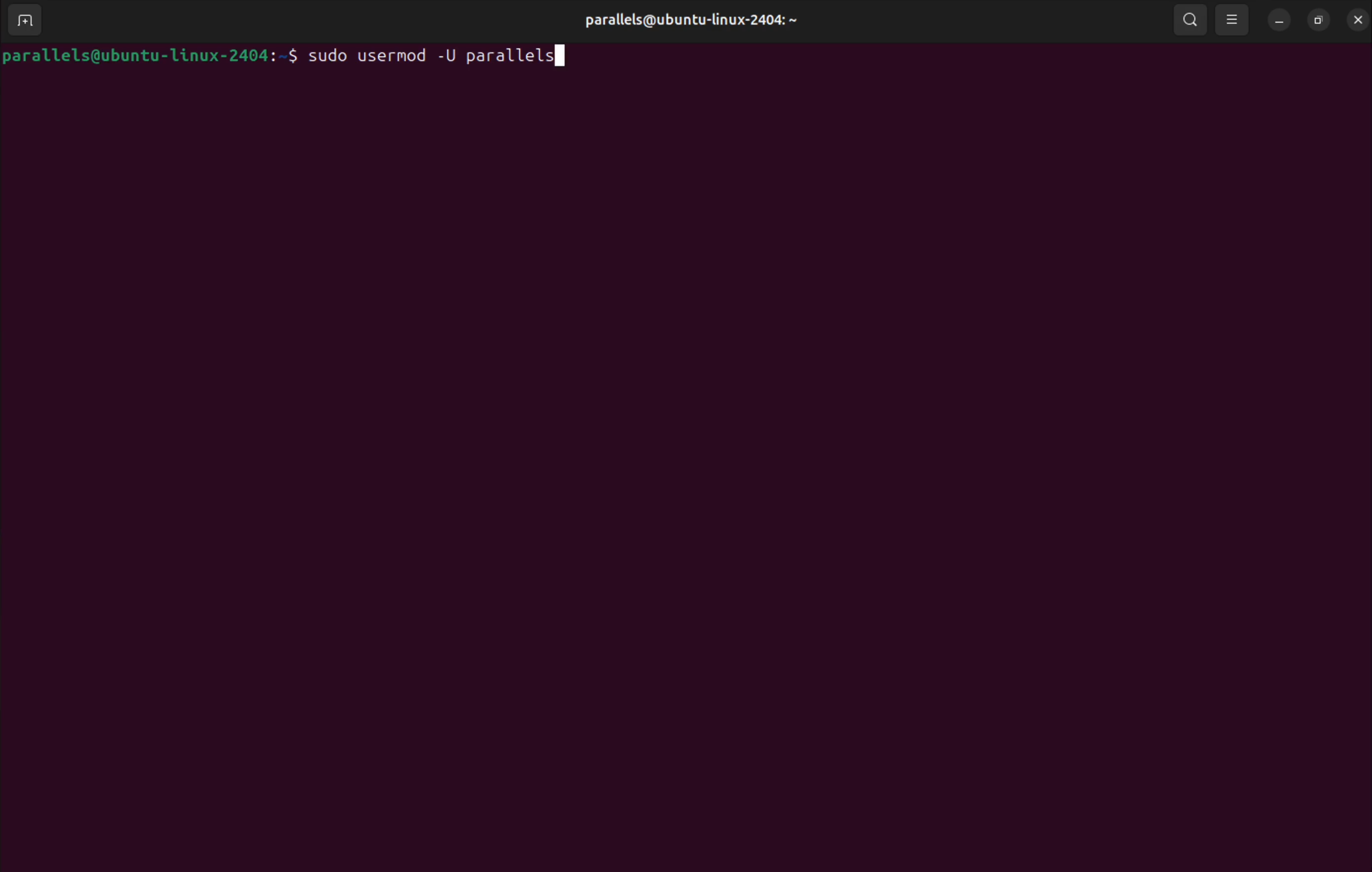 The image size is (1372, 872). What do you see at coordinates (444, 56) in the screenshot?
I see `sudo usermod  -U username` at bounding box center [444, 56].